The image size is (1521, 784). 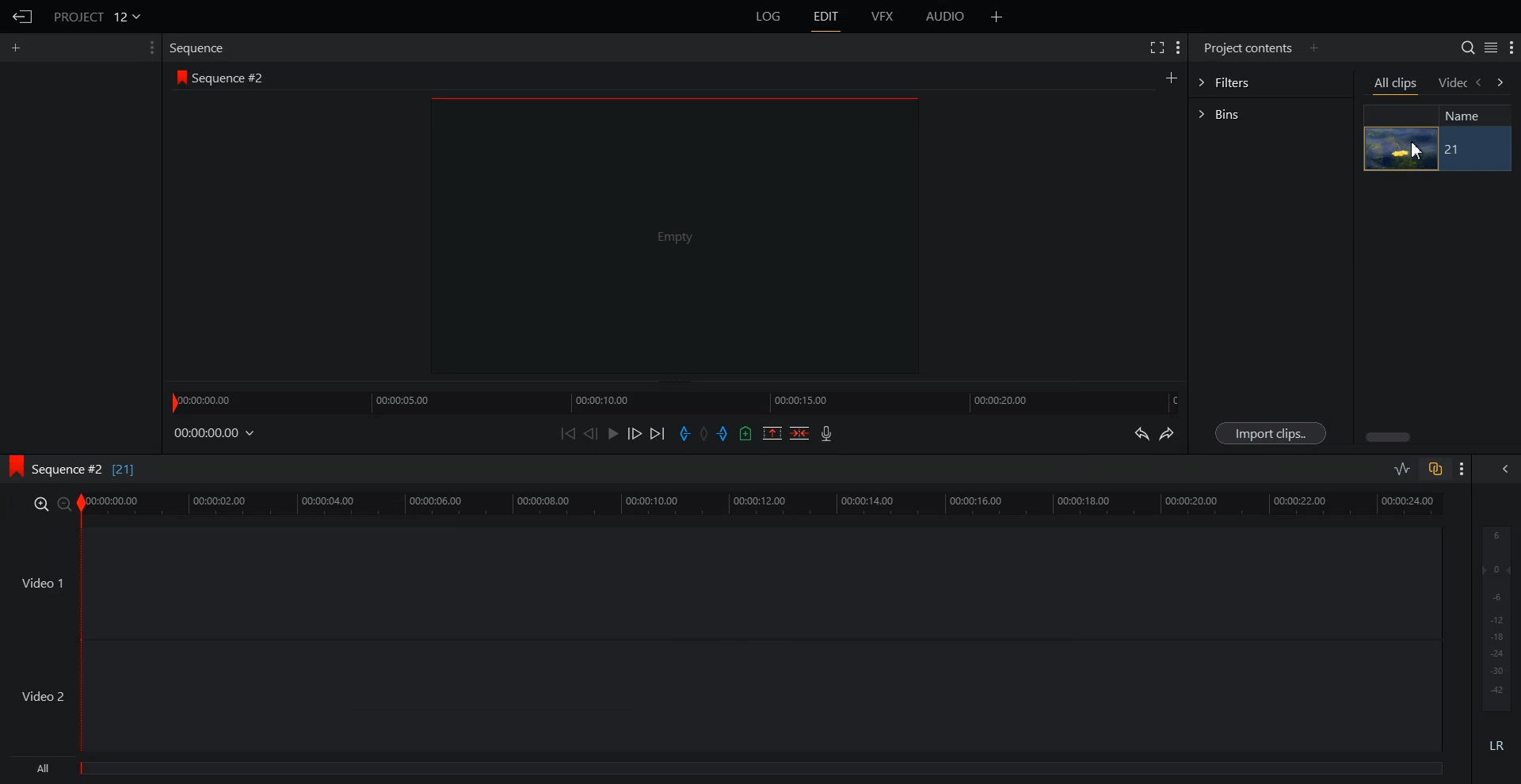 I want to click on Full Screen, so click(x=1158, y=48).